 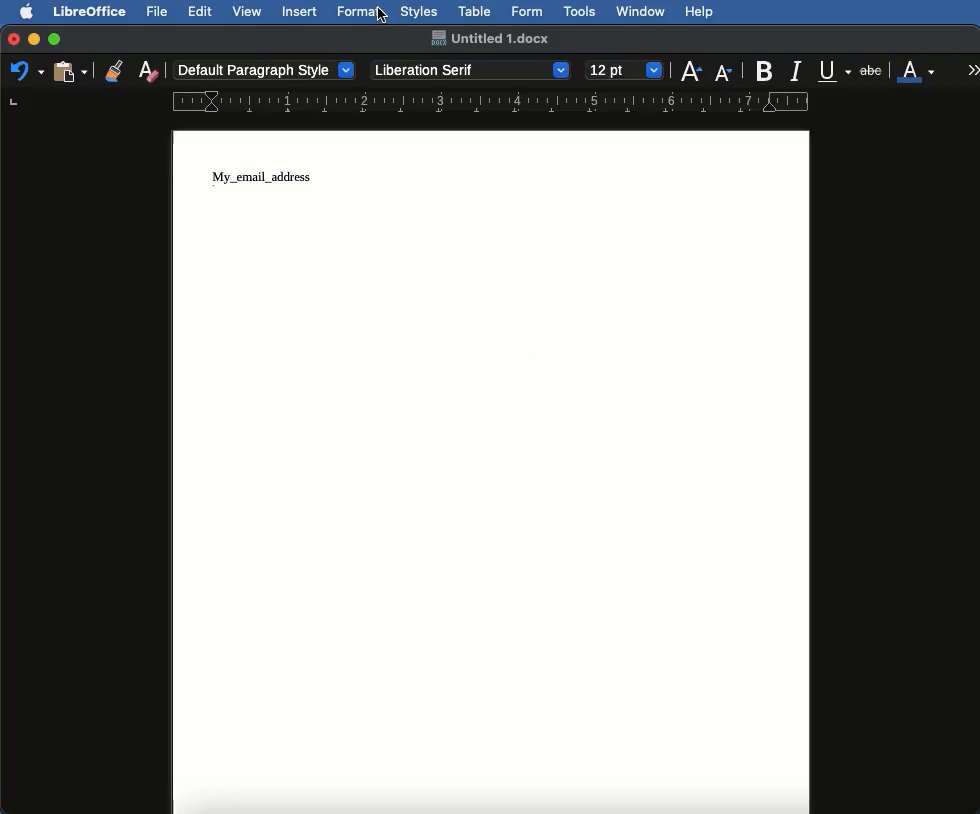 What do you see at coordinates (89, 11) in the screenshot?
I see `LibreOffice` at bounding box center [89, 11].